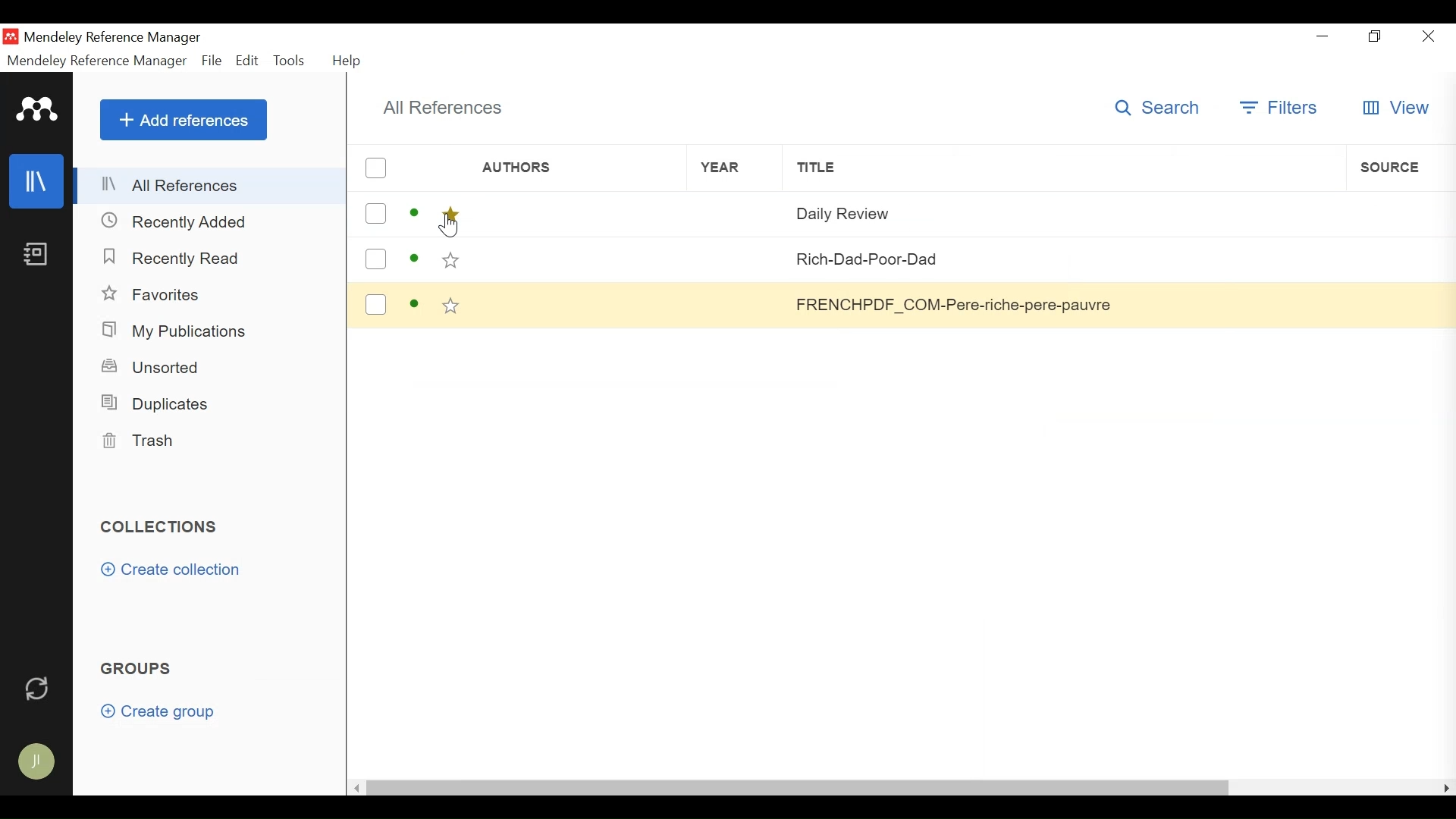  What do you see at coordinates (954, 258) in the screenshot?
I see `Rich-Dad-Poor-Dad` at bounding box center [954, 258].